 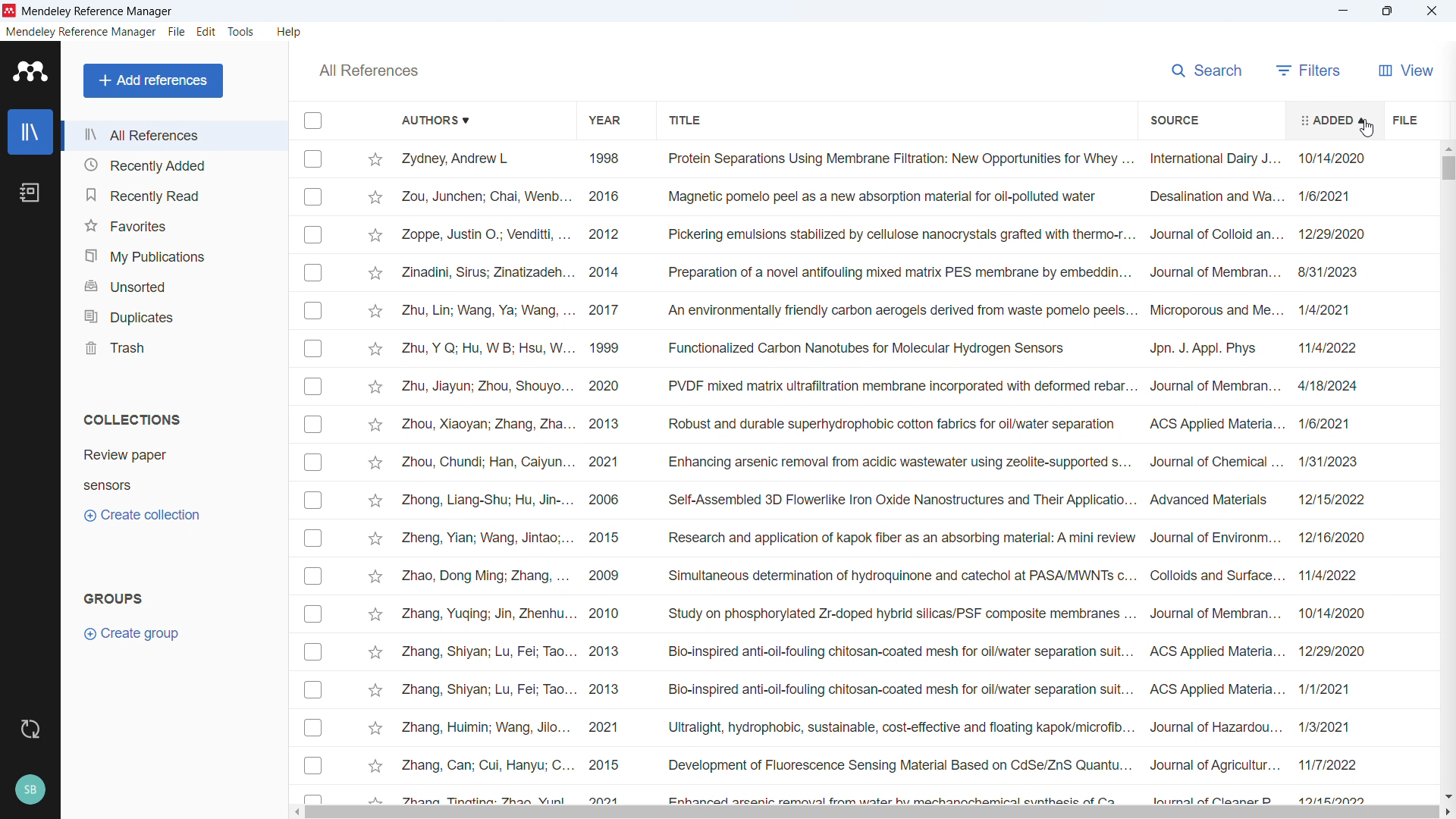 What do you see at coordinates (154, 80) in the screenshot?
I see `Add references ` at bounding box center [154, 80].